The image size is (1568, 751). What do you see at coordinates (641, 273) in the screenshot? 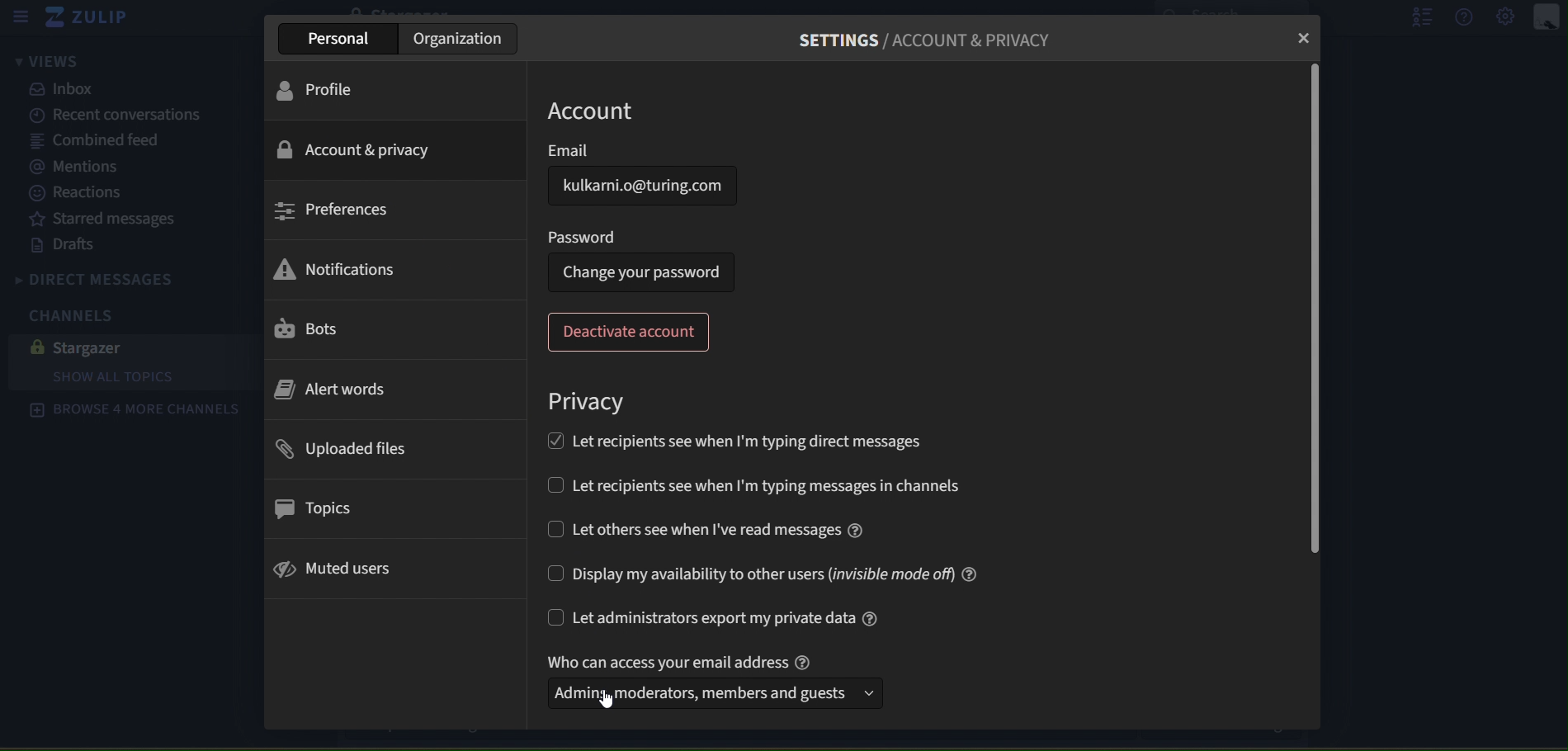
I see `change your password` at bounding box center [641, 273].